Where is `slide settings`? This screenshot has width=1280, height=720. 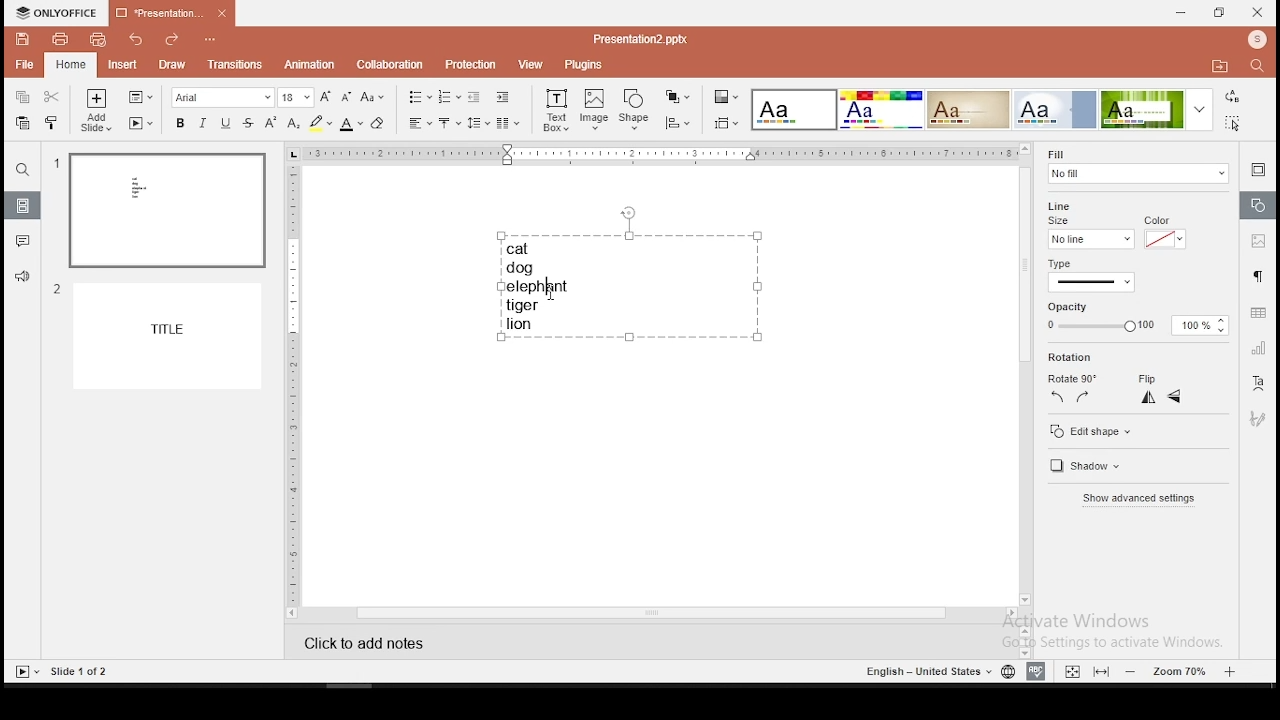 slide settings is located at coordinates (1257, 170).